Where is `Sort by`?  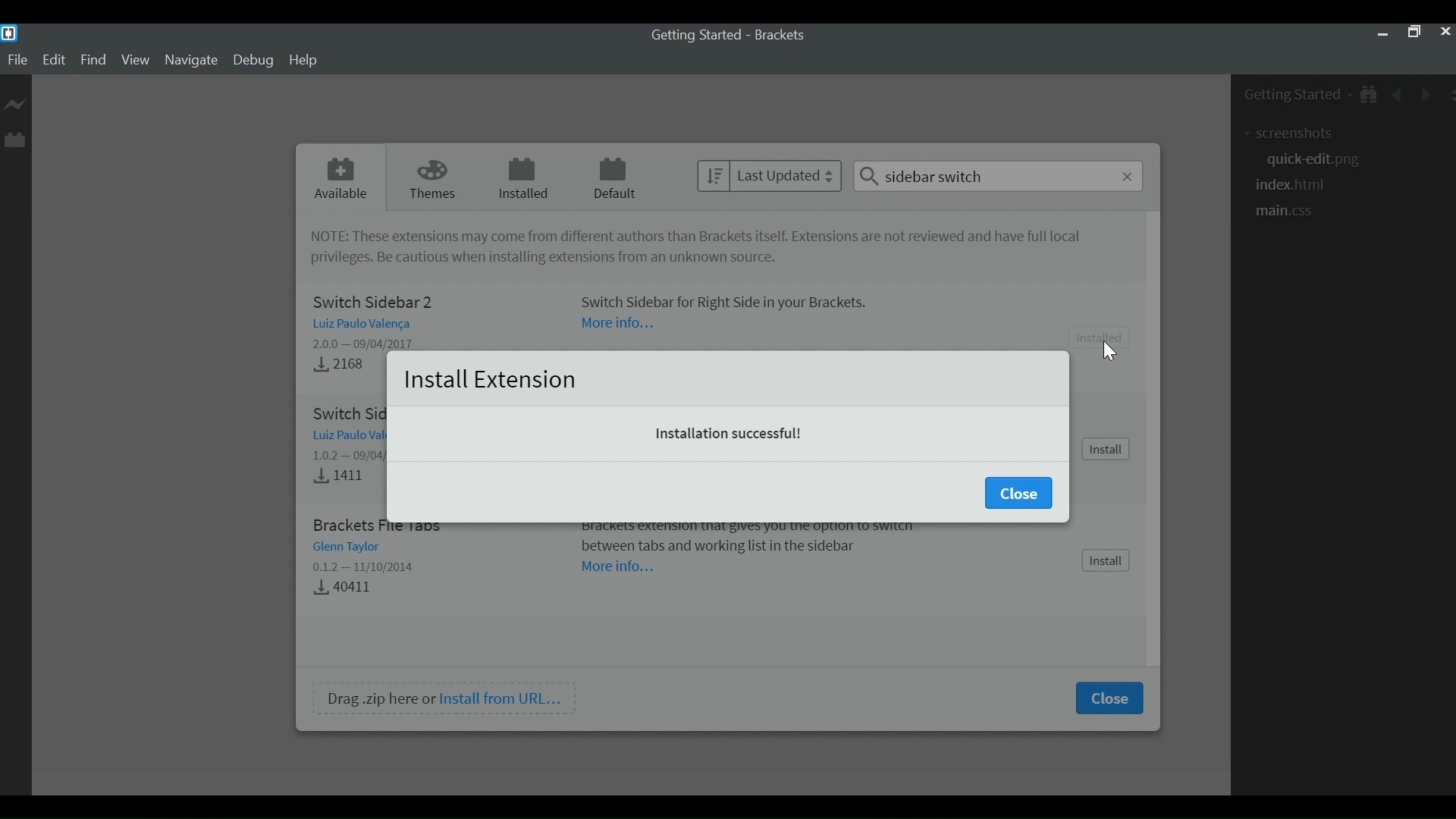
Sort by is located at coordinates (770, 174).